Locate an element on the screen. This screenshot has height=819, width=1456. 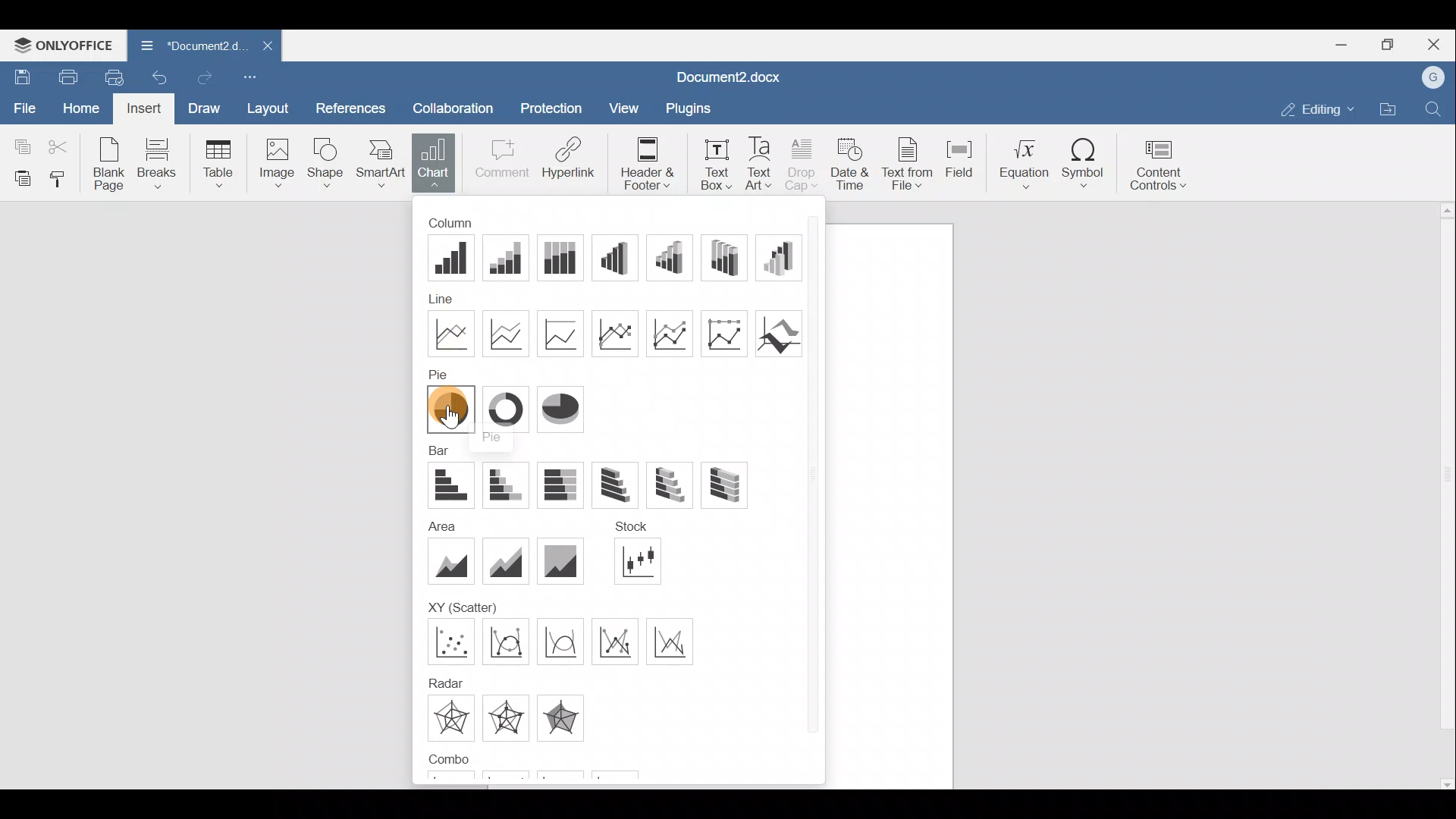
Text box is located at coordinates (714, 160).